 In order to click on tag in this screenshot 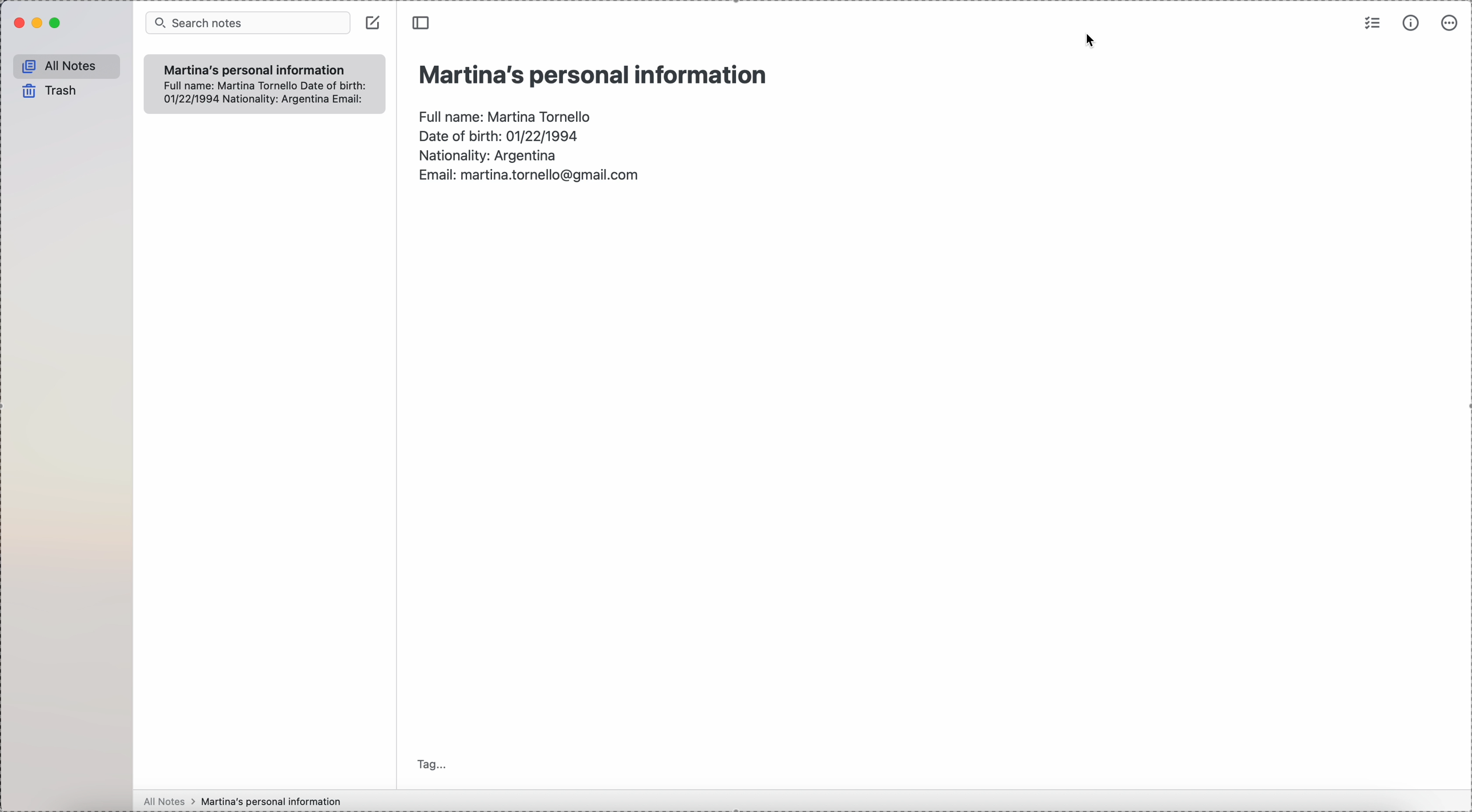, I will do `click(431, 764)`.